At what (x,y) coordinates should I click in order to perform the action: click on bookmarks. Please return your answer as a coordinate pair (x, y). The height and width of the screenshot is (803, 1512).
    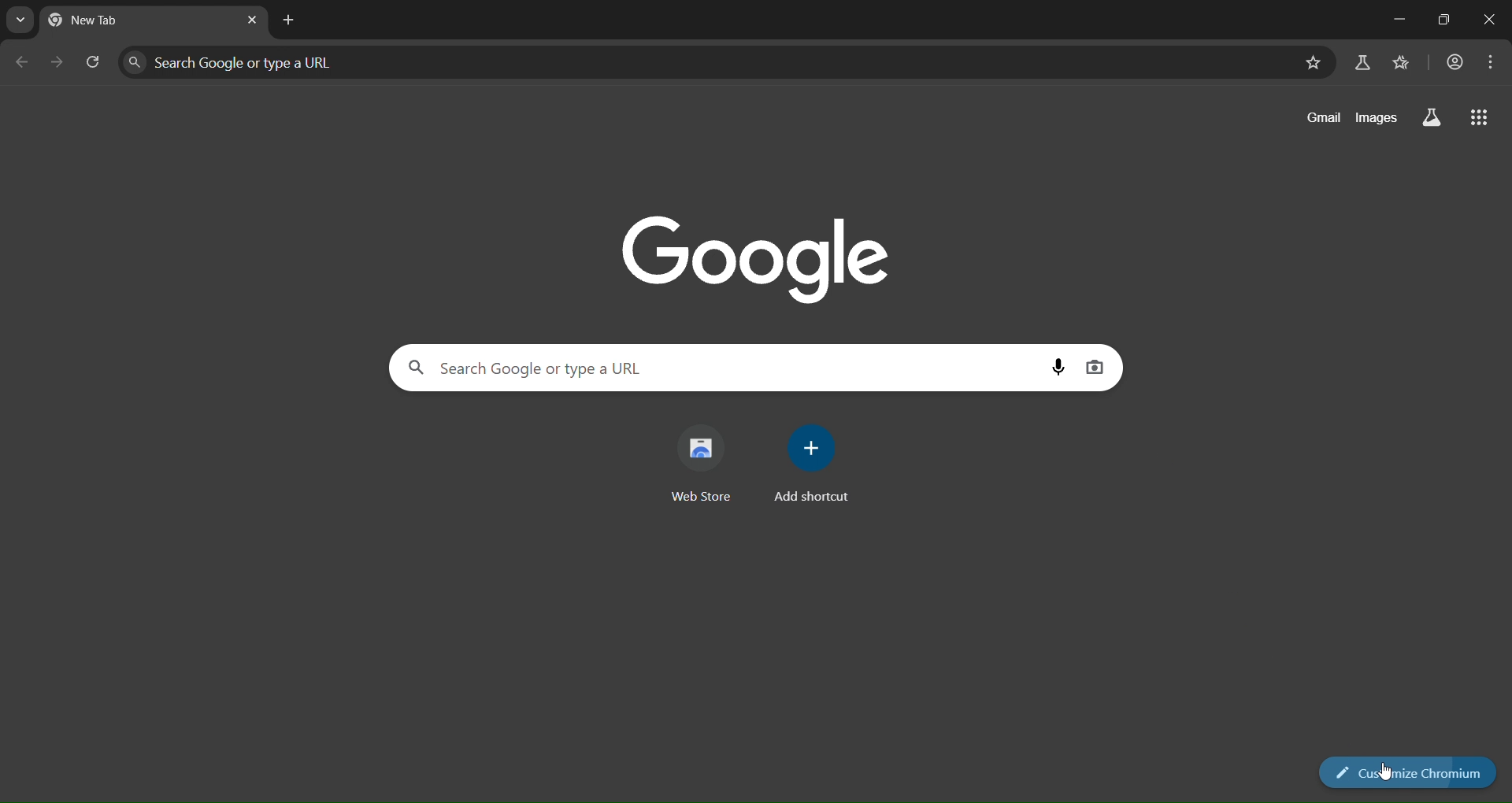
    Looking at the image, I should click on (1403, 62).